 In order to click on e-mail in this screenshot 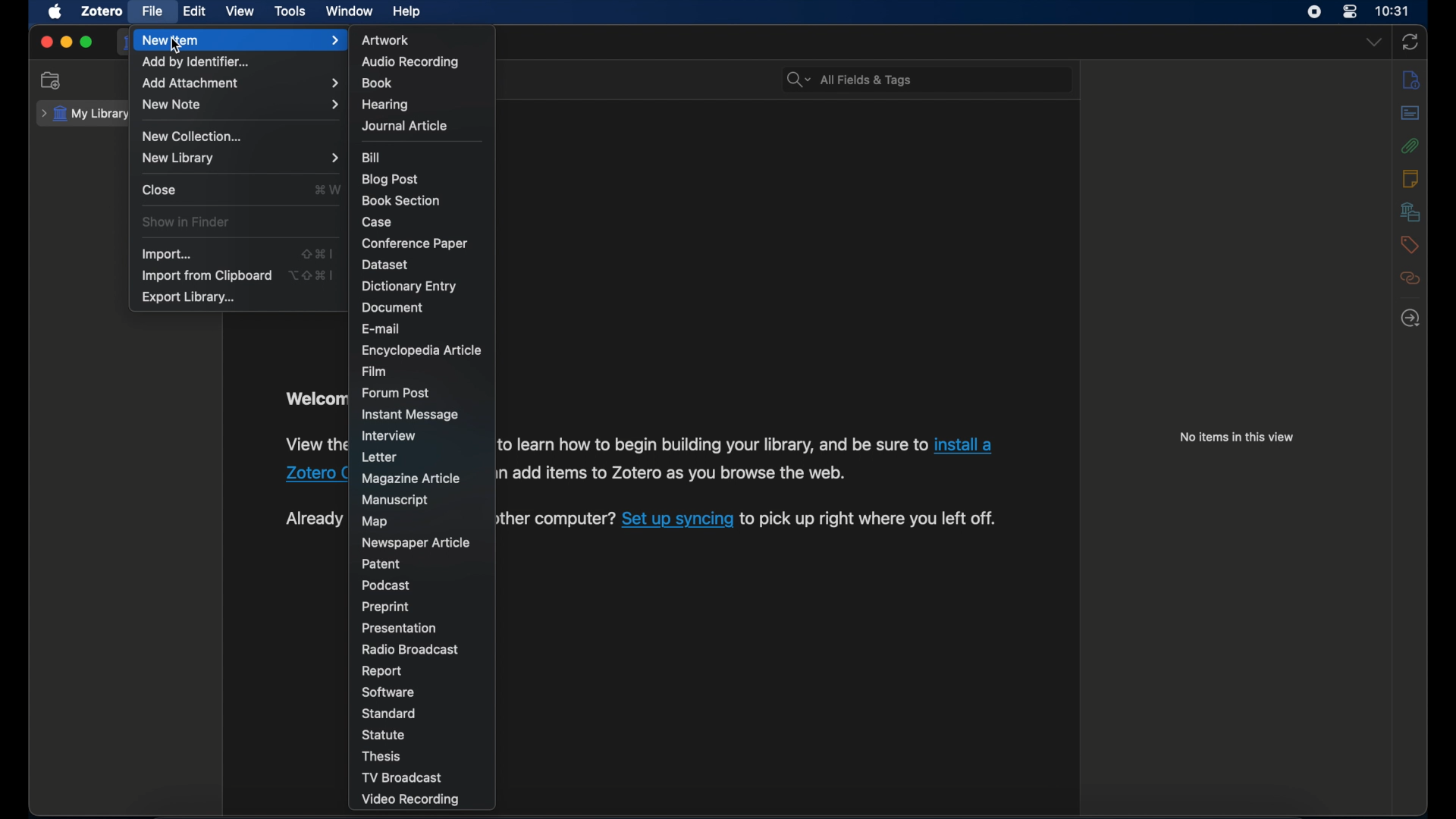, I will do `click(381, 329)`.